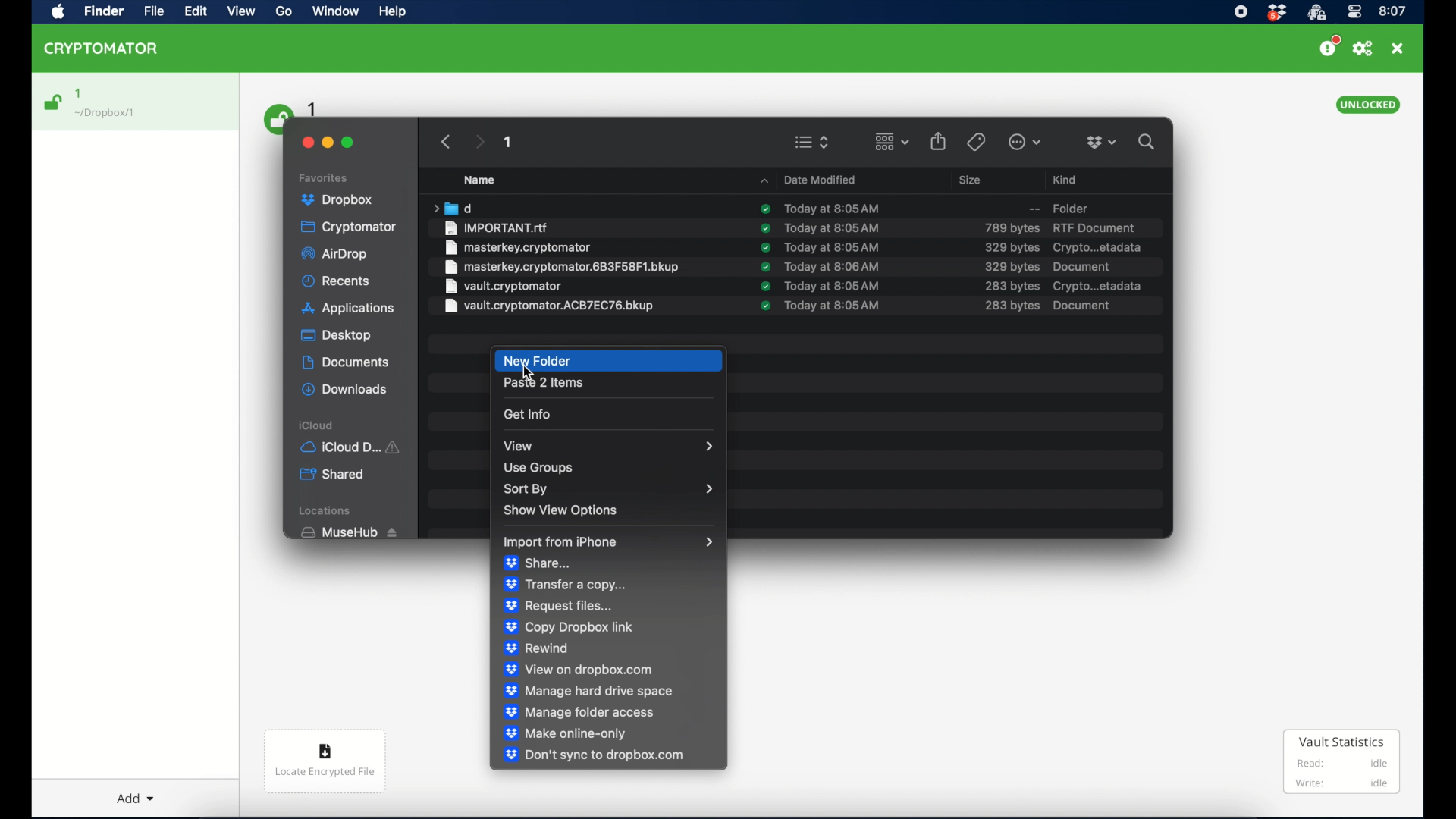 The image size is (1456, 819). I want to click on size, so click(1011, 227).